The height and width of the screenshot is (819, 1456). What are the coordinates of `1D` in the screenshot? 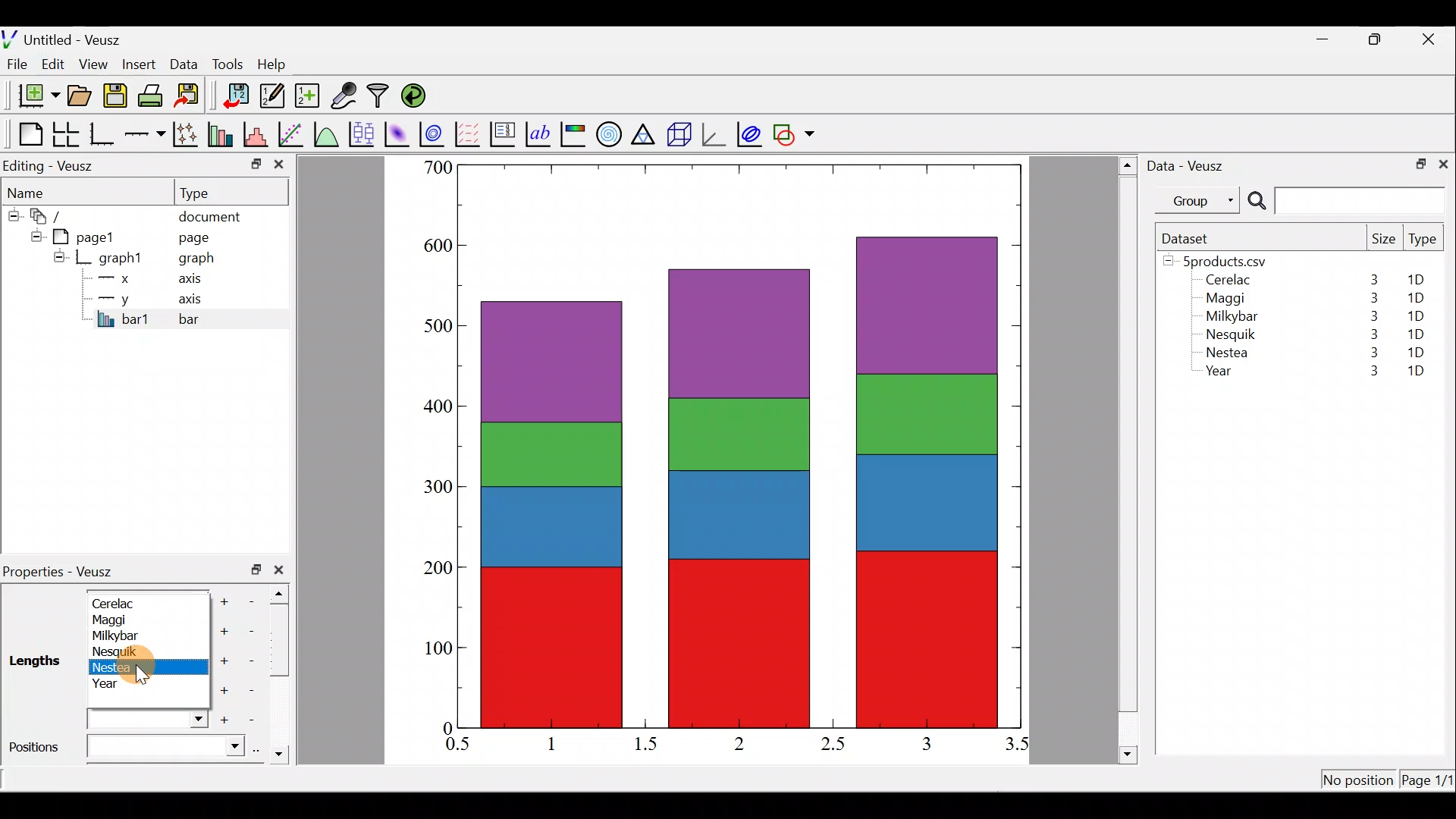 It's located at (1418, 331).